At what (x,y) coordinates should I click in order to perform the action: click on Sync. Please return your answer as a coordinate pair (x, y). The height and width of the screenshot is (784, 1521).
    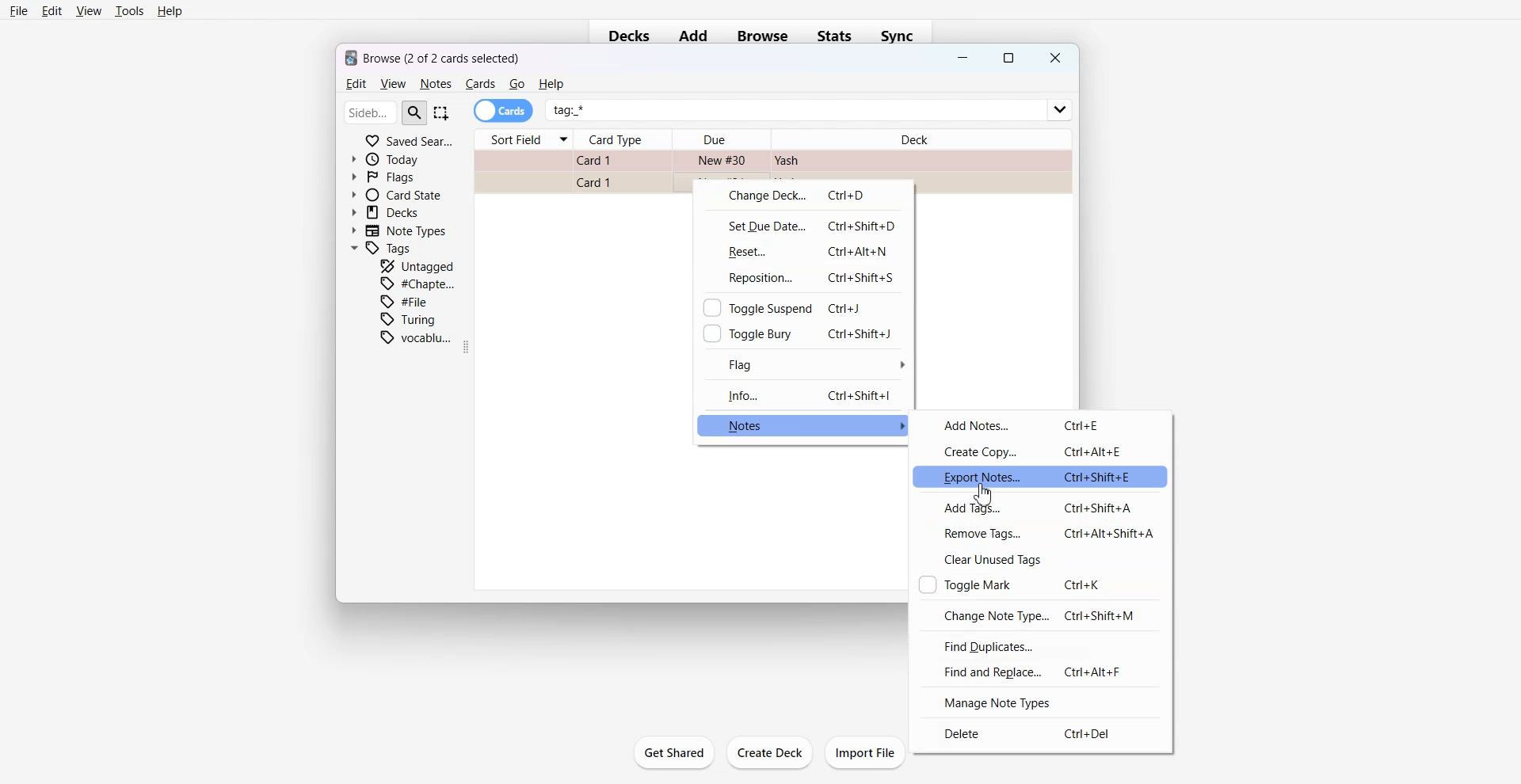
    Looking at the image, I should click on (902, 36).